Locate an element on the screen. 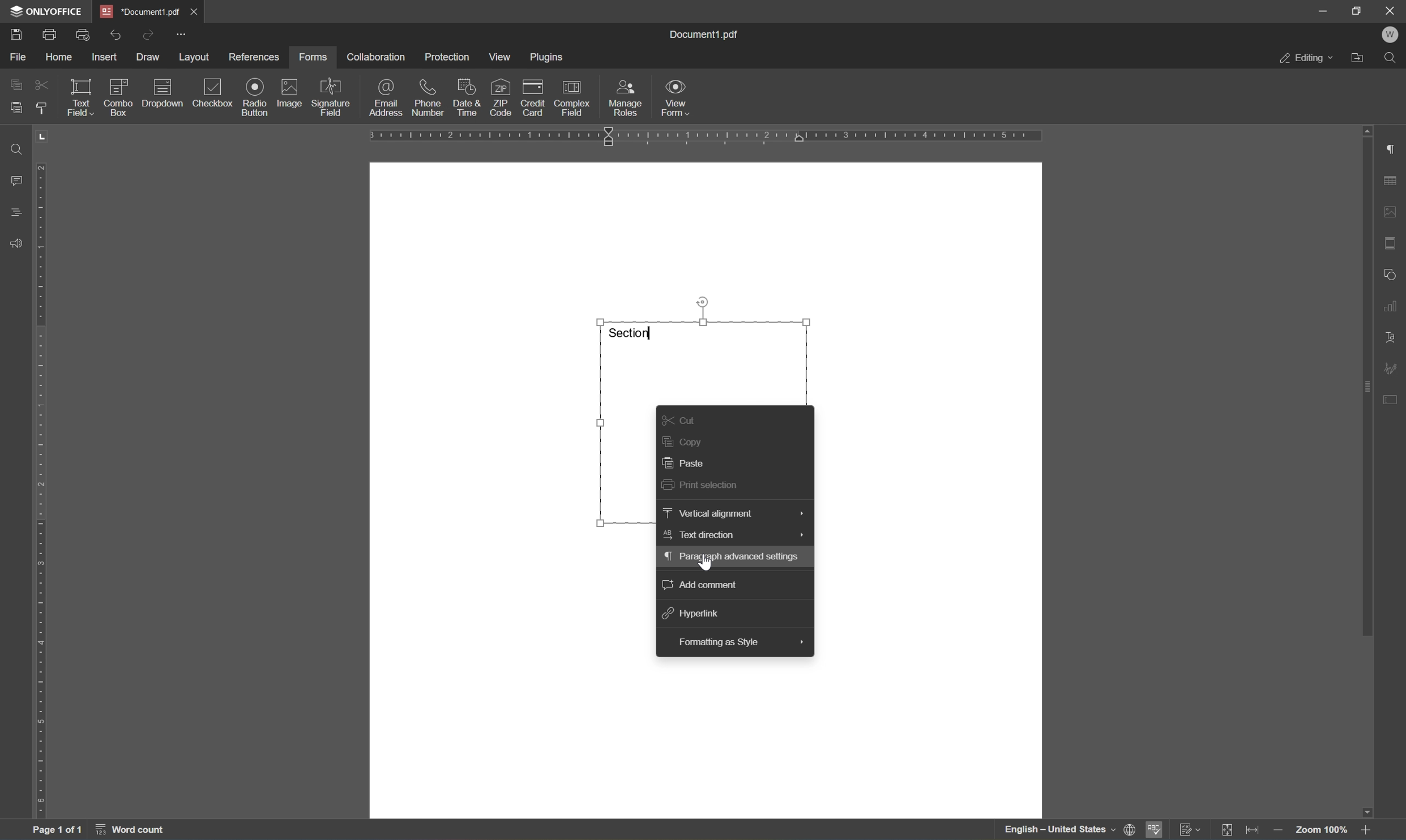 The image size is (1406, 840). complex field is located at coordinates (573, 97).